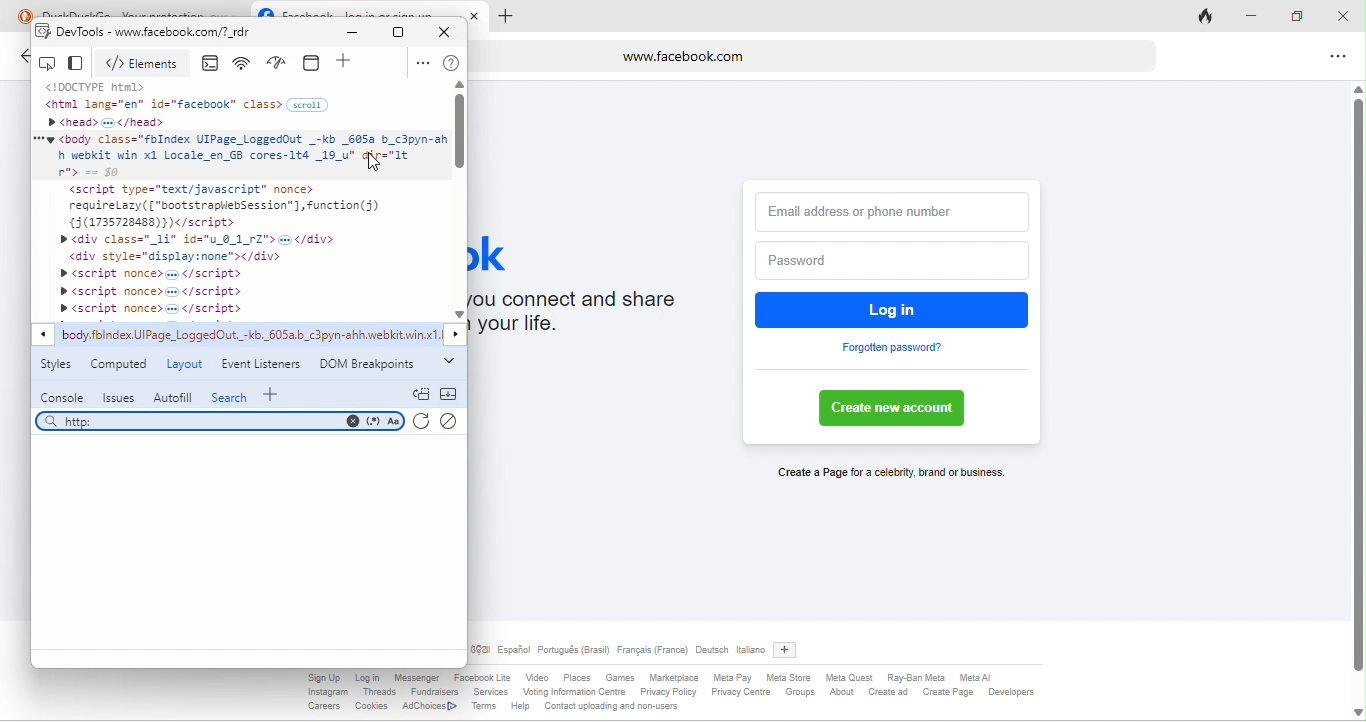 This screenshot has height=722, width=1366. What do you see at coordinates (593, 317) in the screenshot?
I see `Facebook helps you connect and share
with the people in your life.` at bounding box center [593, 317].